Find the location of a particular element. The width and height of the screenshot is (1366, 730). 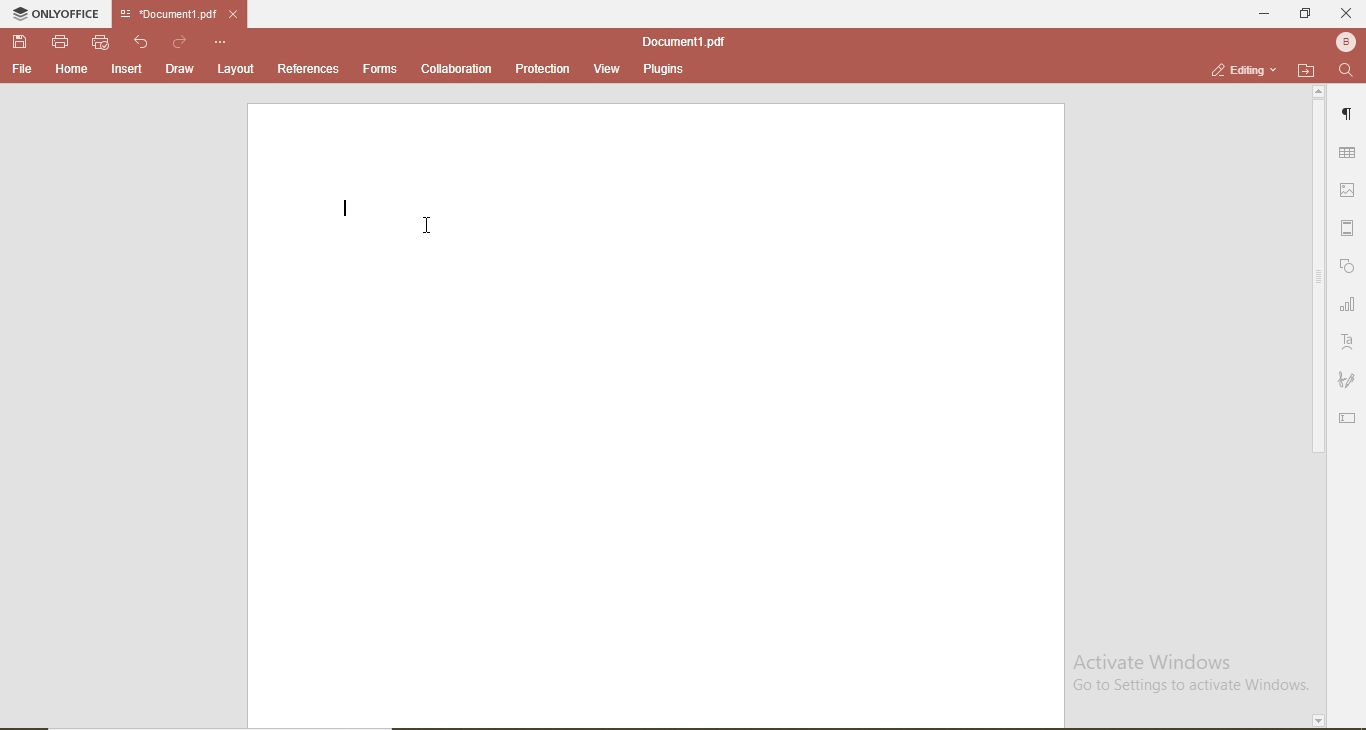

print is located at coordinates (62, 43).